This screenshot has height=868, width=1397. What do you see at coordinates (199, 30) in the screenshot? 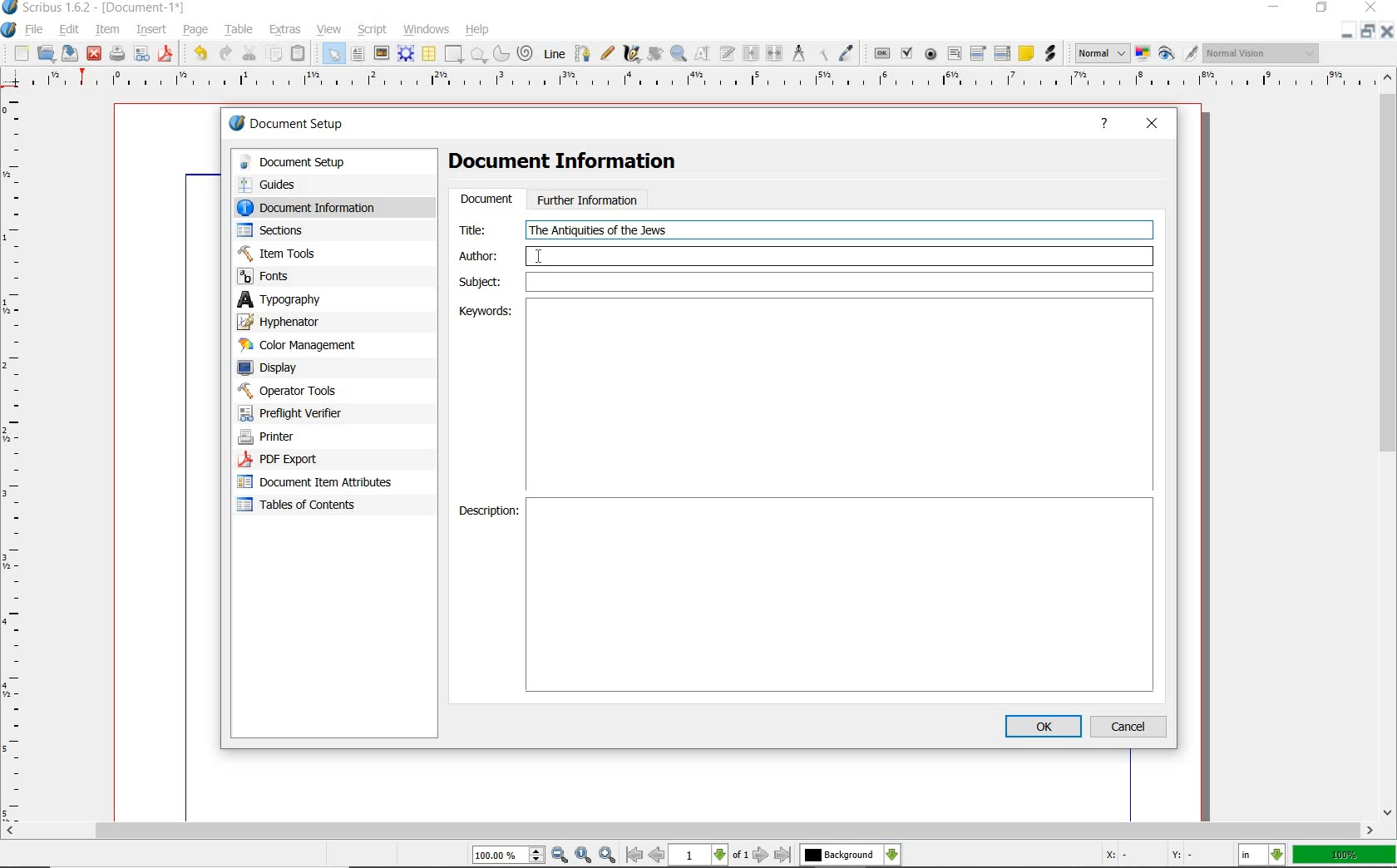
I see `page` at bounding box center [199, 30].